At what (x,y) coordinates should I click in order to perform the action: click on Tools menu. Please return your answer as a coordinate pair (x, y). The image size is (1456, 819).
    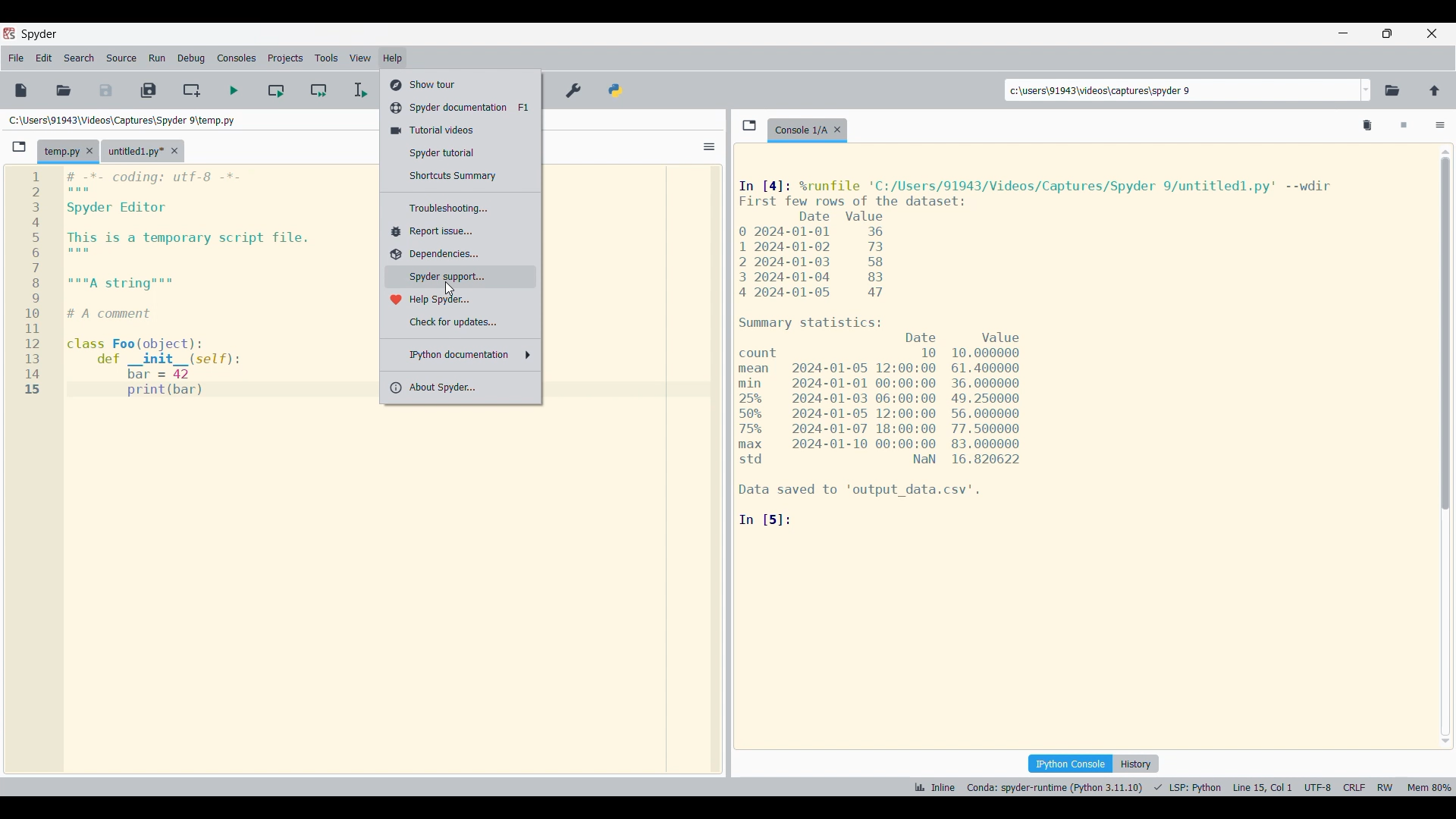
    Looking at the image, I should click on (326, 58).